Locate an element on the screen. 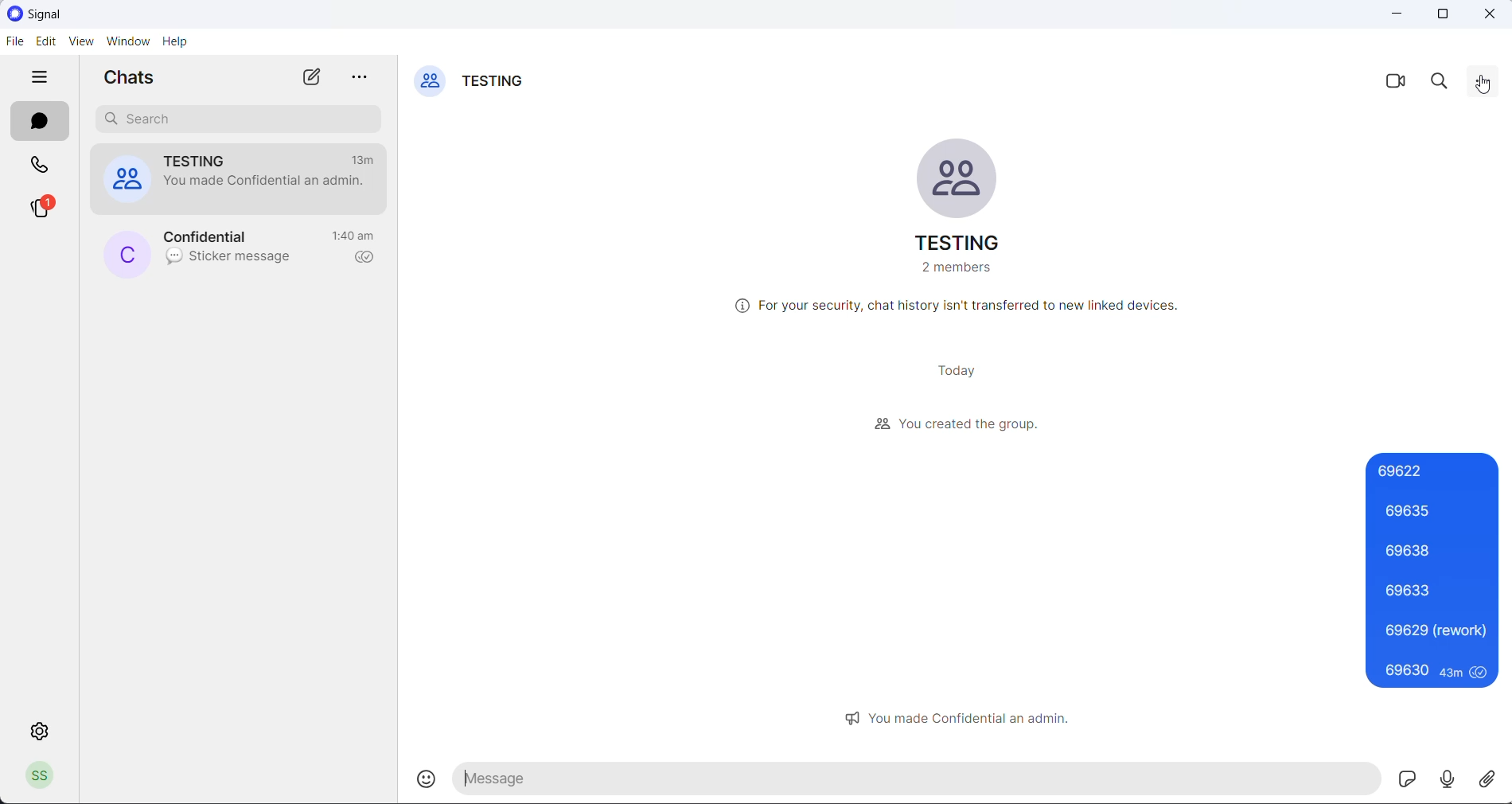 The height and width of the screenshot is (804, 1512). window is located at coordinates (127, 44).